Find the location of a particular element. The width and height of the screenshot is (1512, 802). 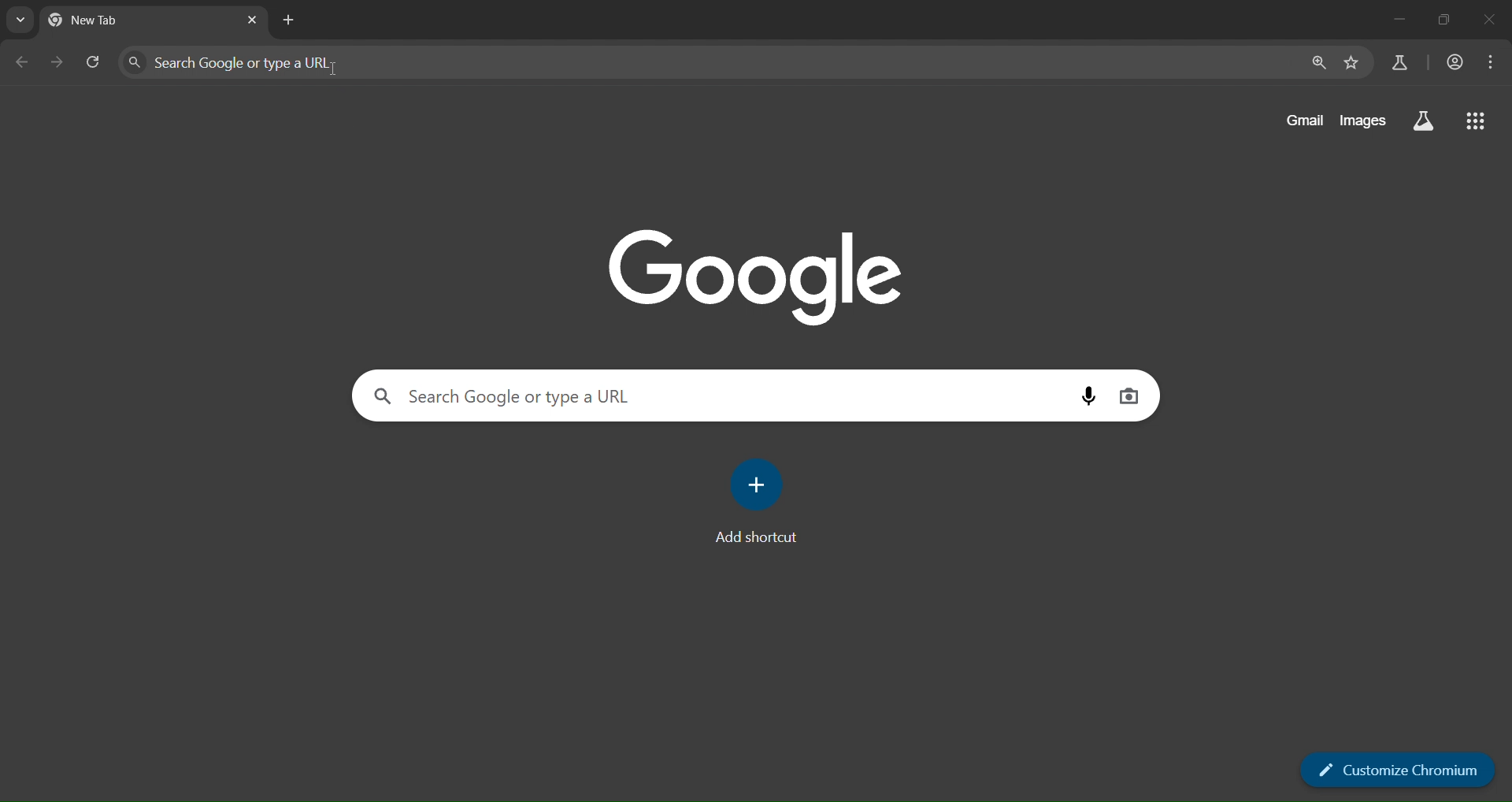

voice search is located at coordinates (1088, 395).